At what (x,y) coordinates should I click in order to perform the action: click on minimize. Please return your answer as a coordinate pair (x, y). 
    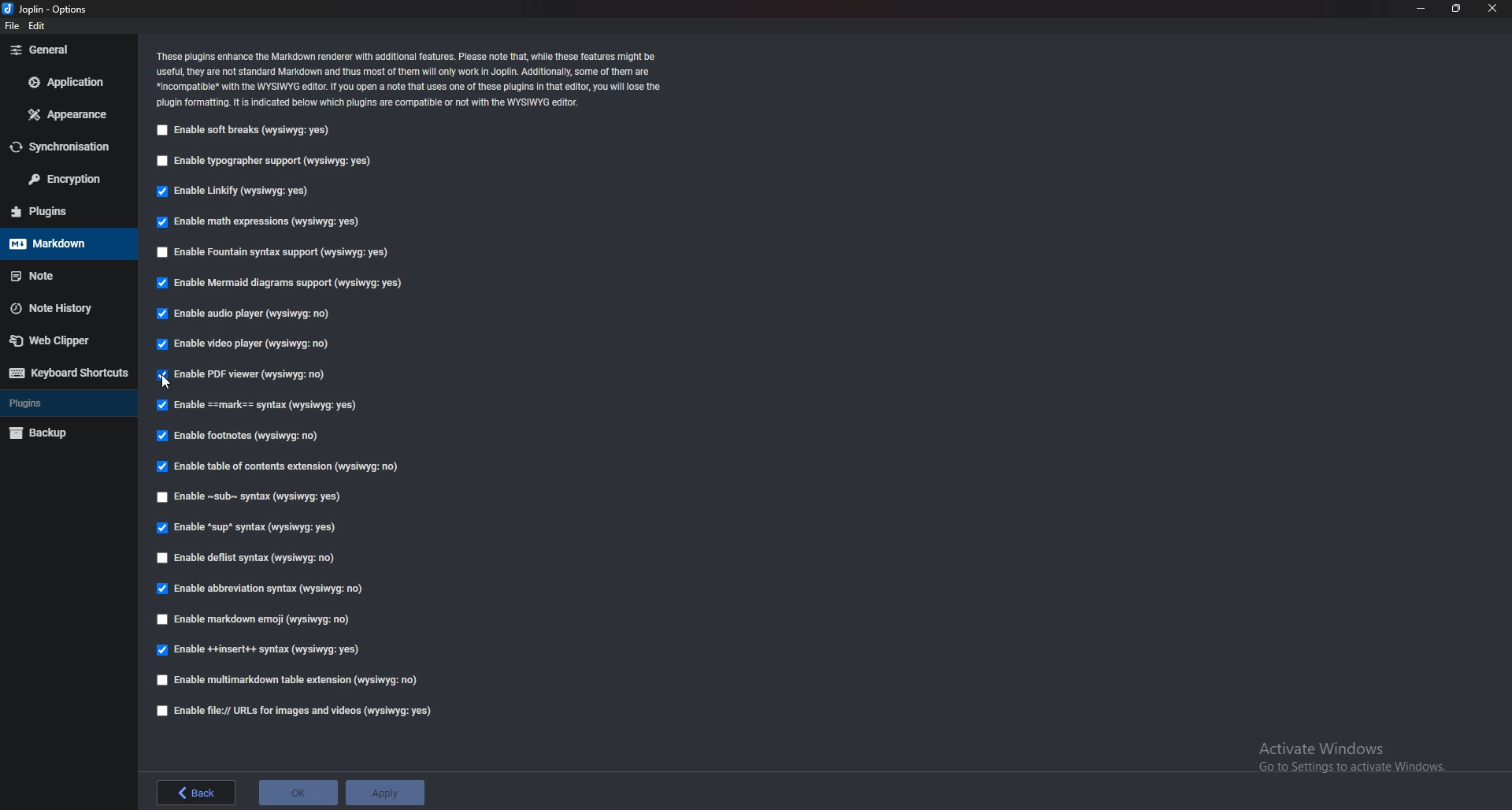
    Looking at the image, I should click on (1423, 8).